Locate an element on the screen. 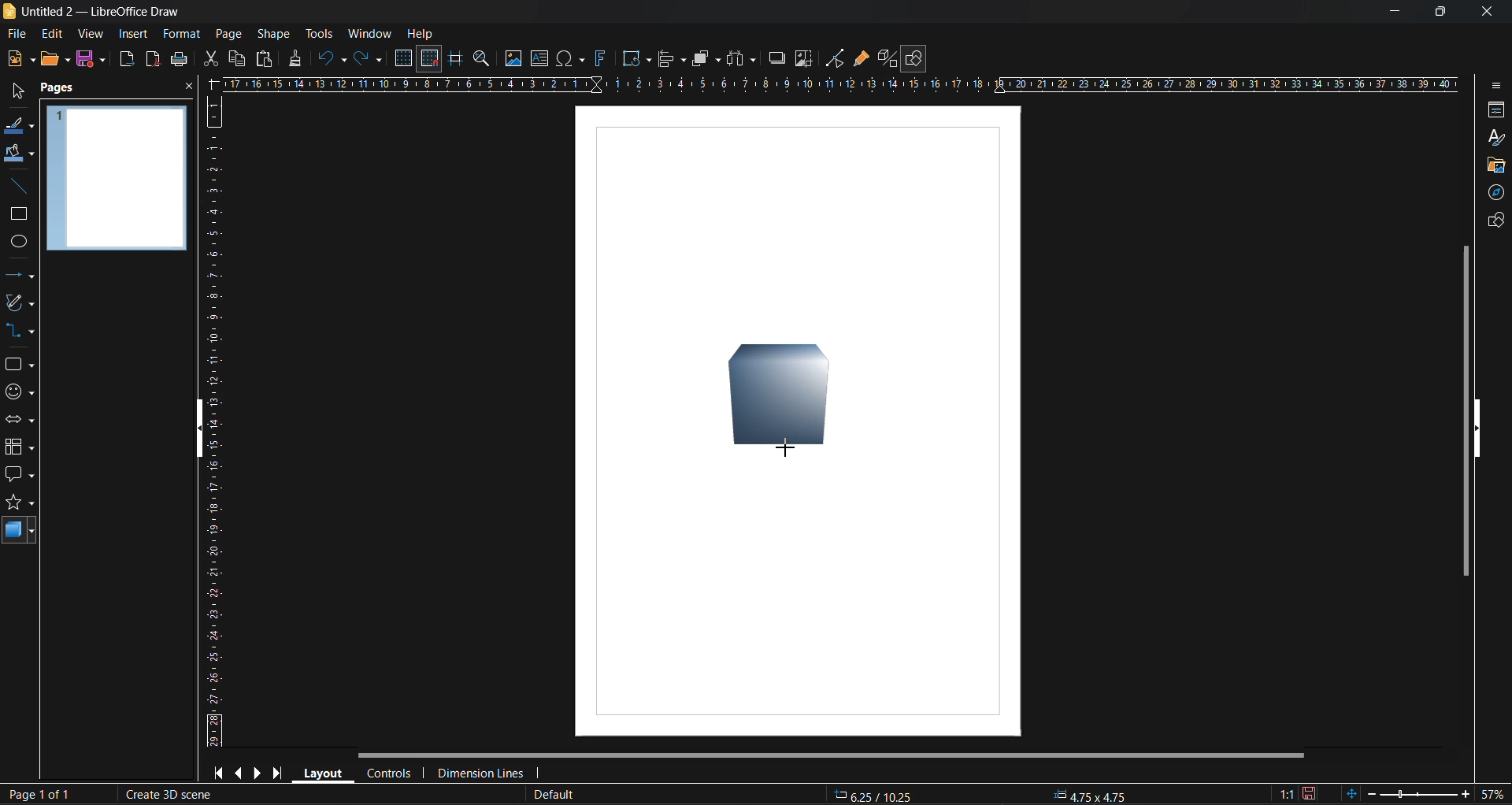  cursor is located at coordinates (787, 450).